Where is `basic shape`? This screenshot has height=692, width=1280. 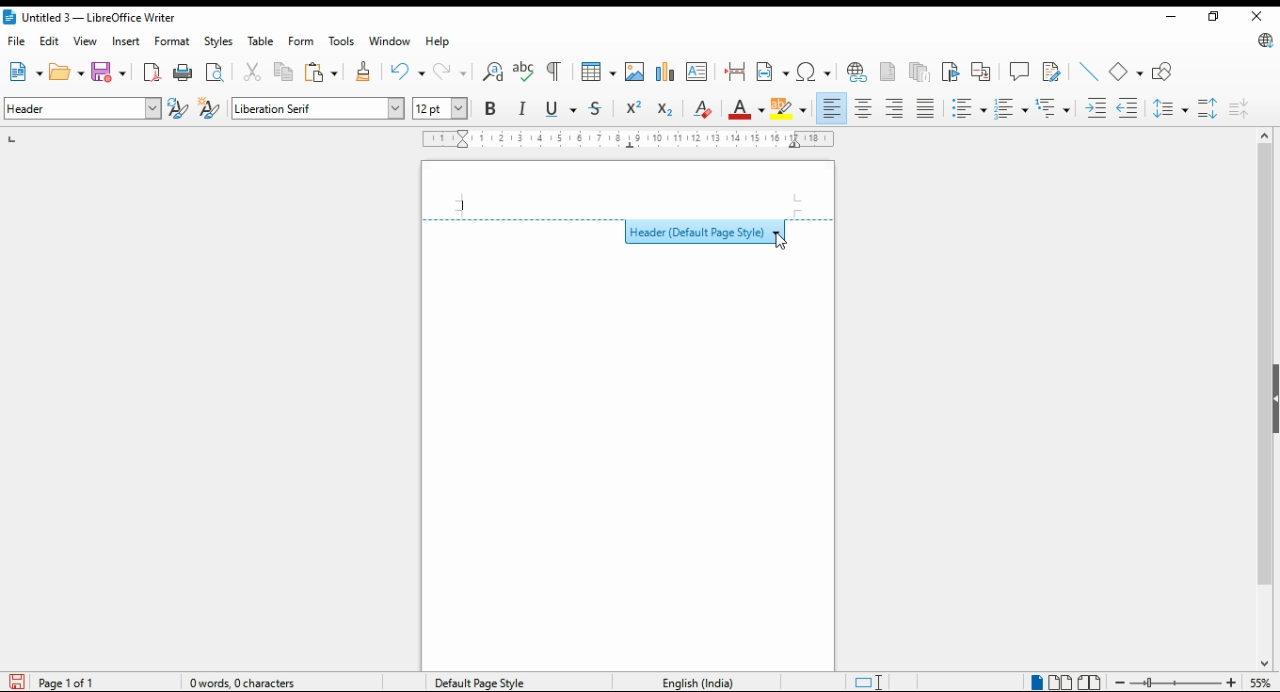 basic shape is located at coordinates (1127, 72).